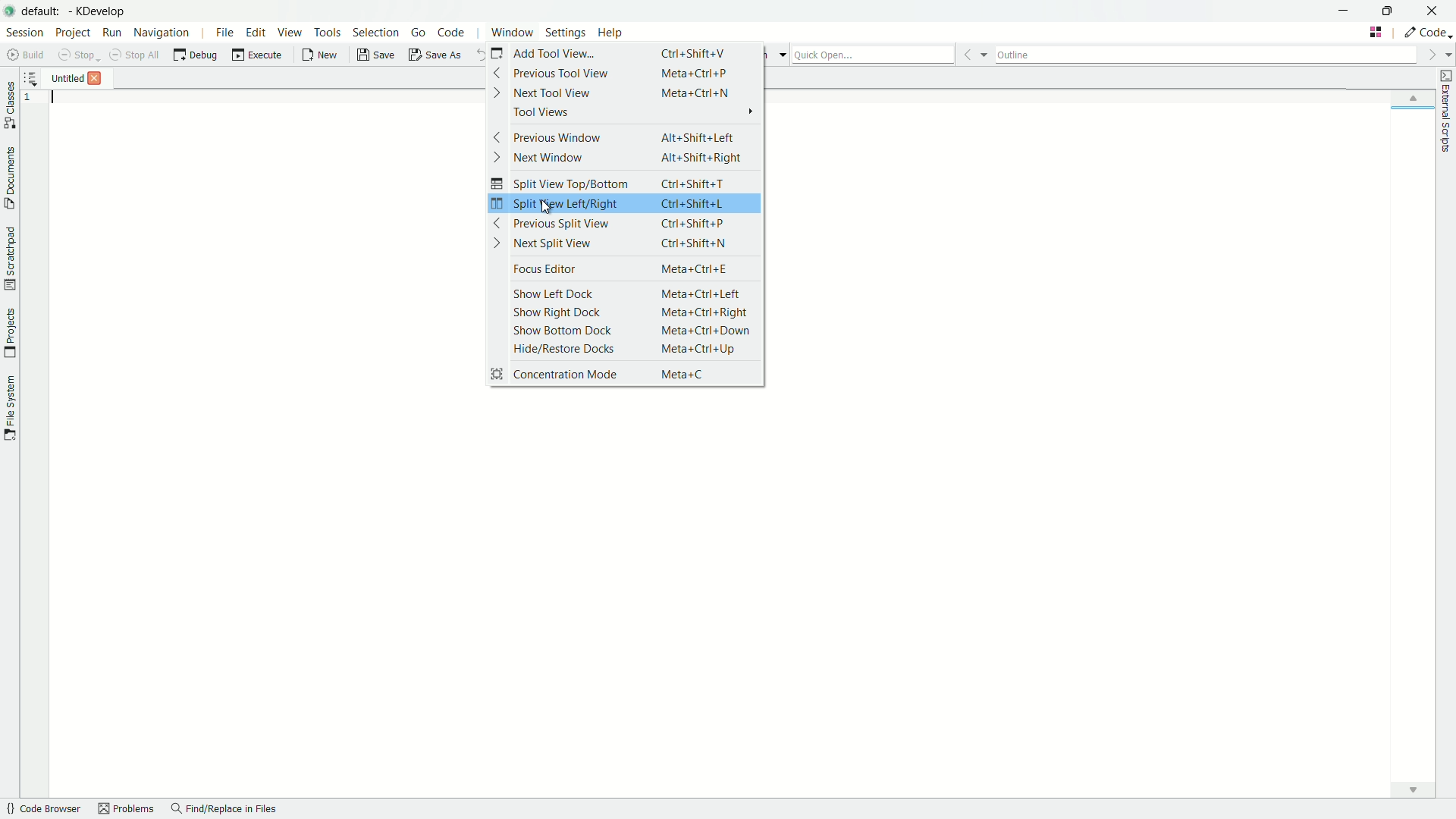 The height and width of the screenshot is (819, 1456). I want to click on minimize, so click(1344, 11).